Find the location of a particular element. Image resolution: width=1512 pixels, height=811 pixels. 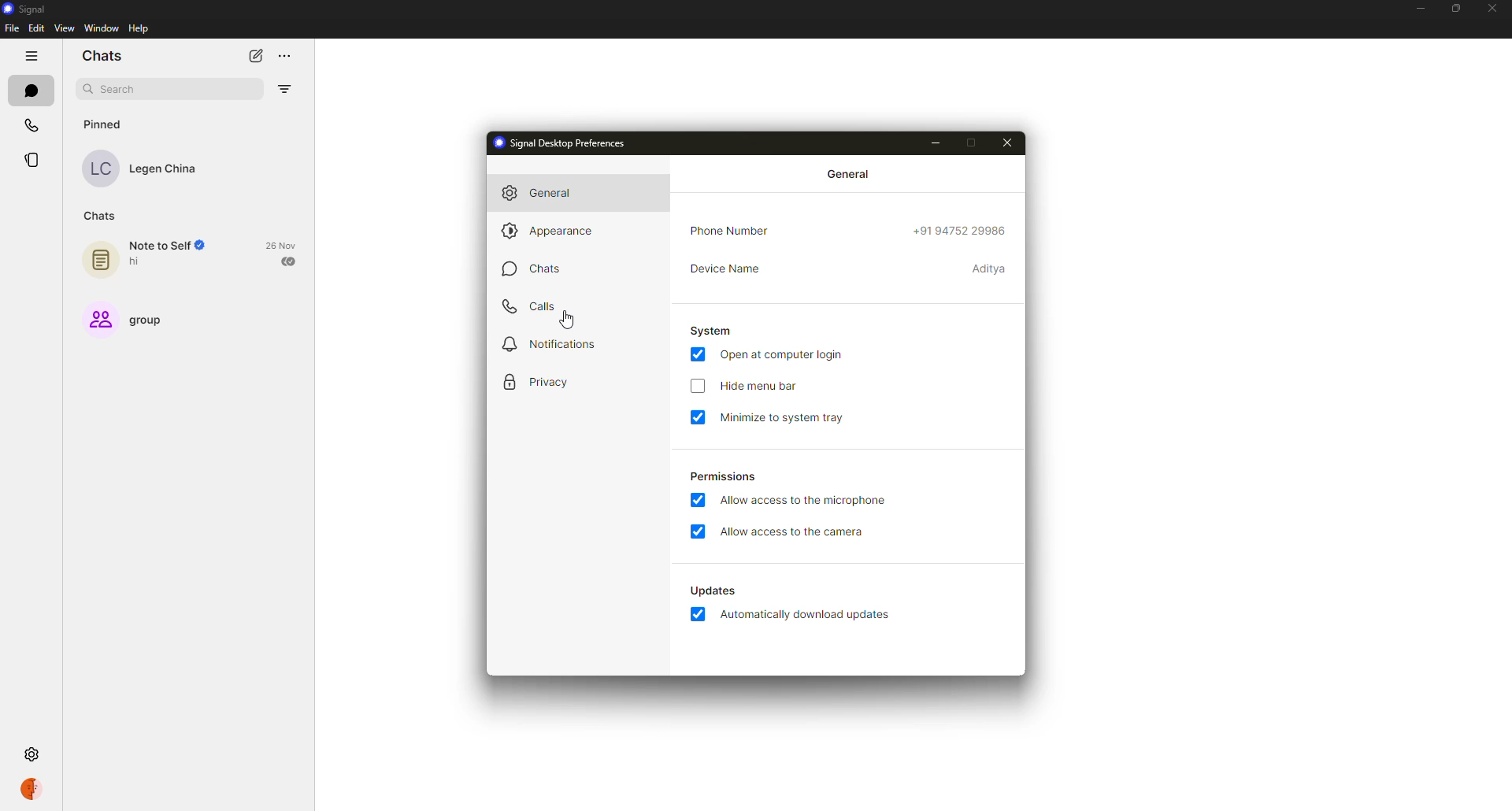

device name is located at coordinates (726, 267).